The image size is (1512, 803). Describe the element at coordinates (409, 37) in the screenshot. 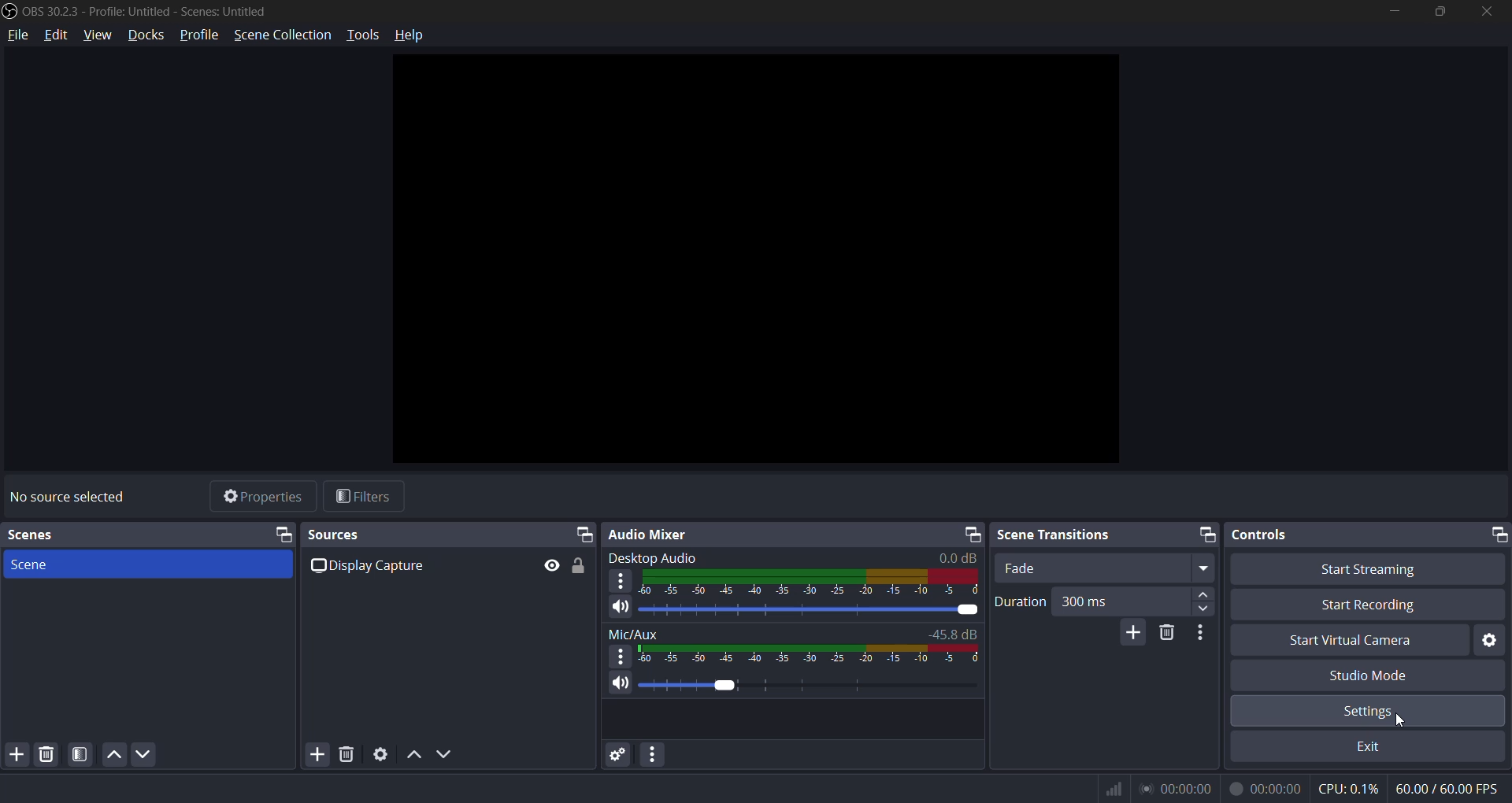

I see `help` at that location.